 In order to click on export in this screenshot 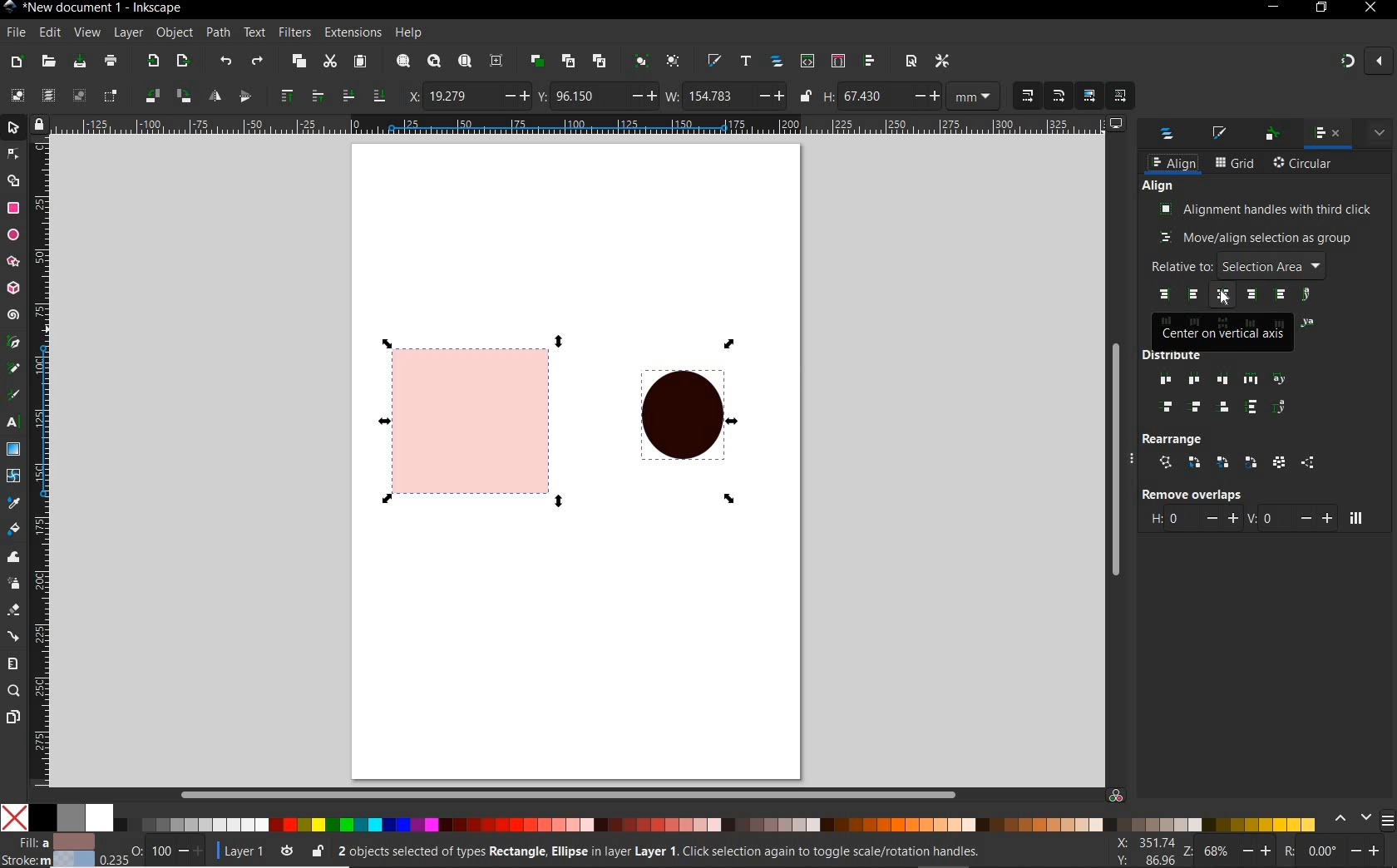, I will do `click(153, 60)`.